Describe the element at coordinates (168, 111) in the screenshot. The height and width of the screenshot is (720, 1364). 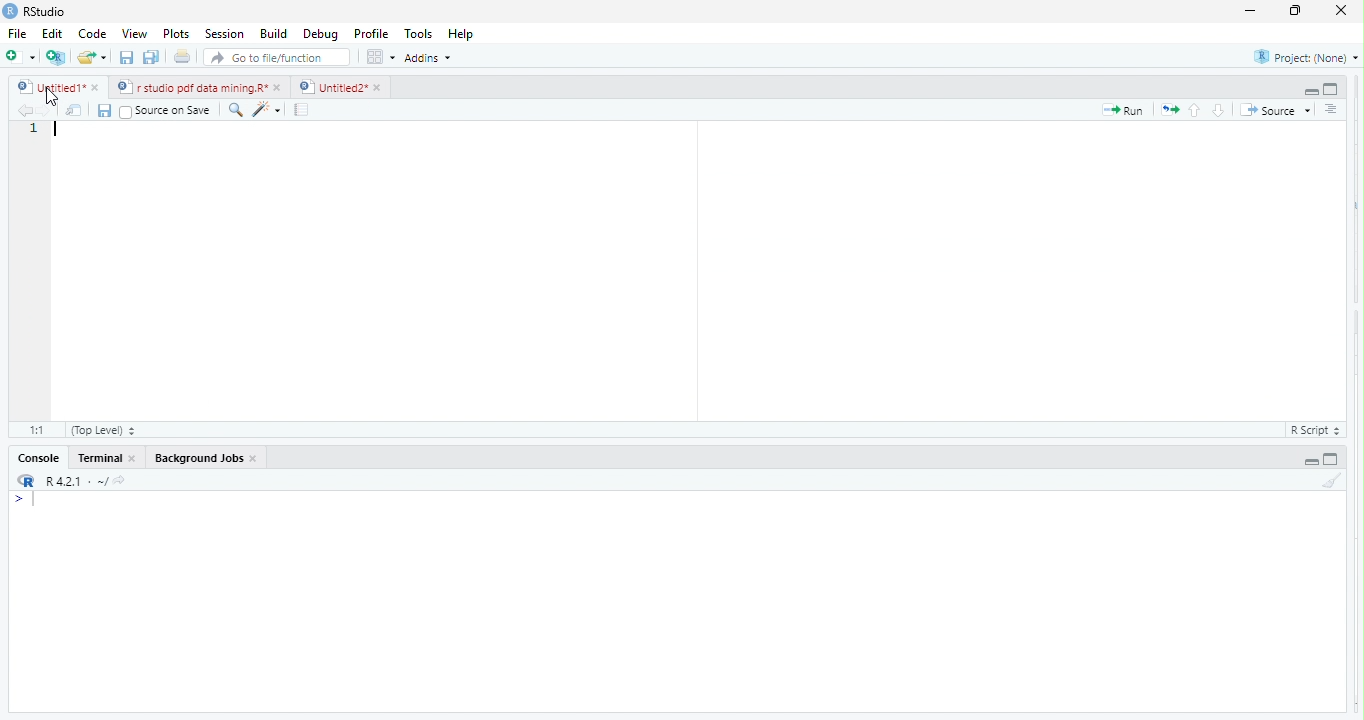
I see `Source on Save` at that location.